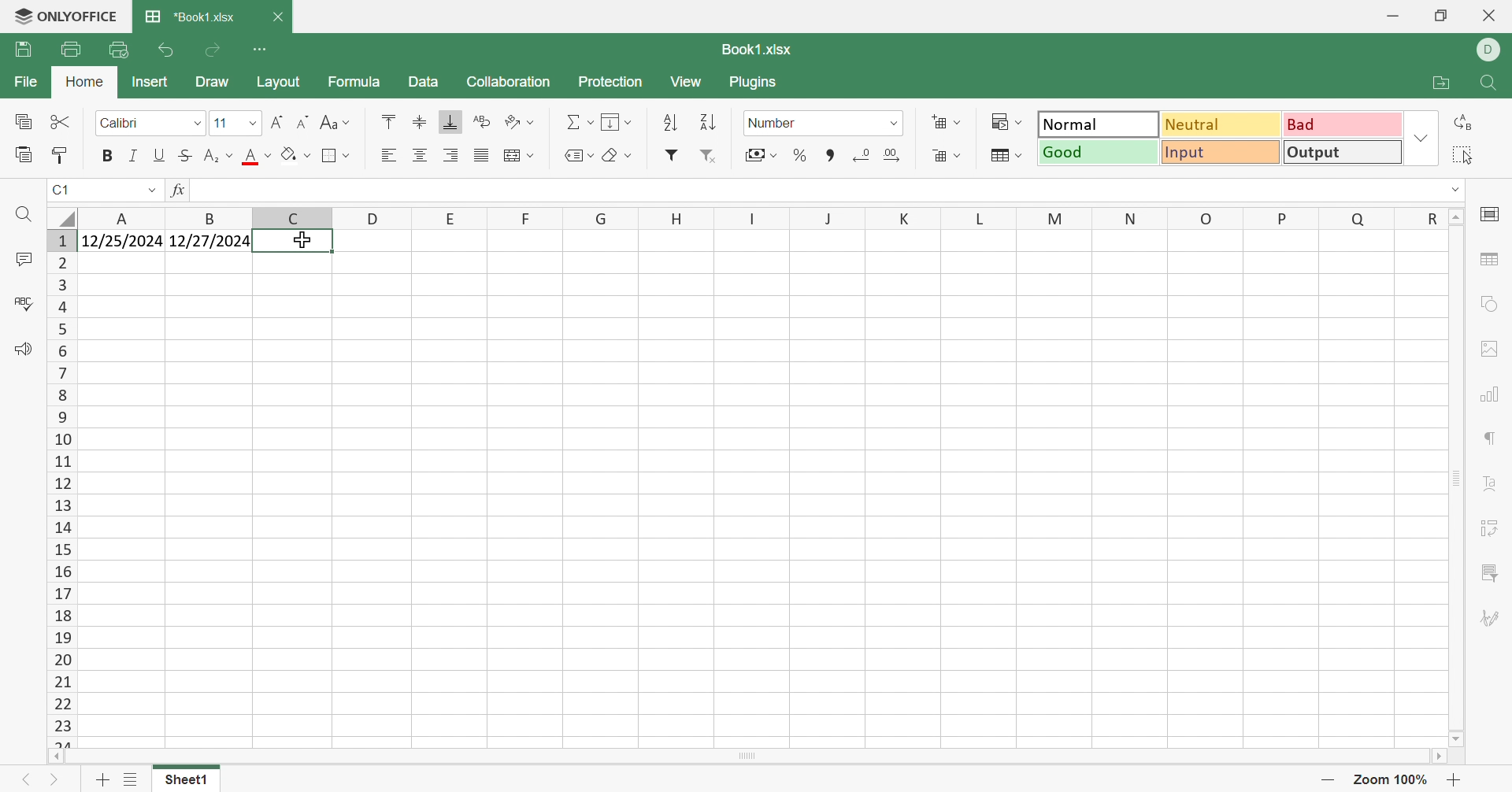 This screenshot has height=792, width=1512. What do you see at coordinates (24, 121) in the screenshot?
I see `Copy` at bounding box center [24, 121].